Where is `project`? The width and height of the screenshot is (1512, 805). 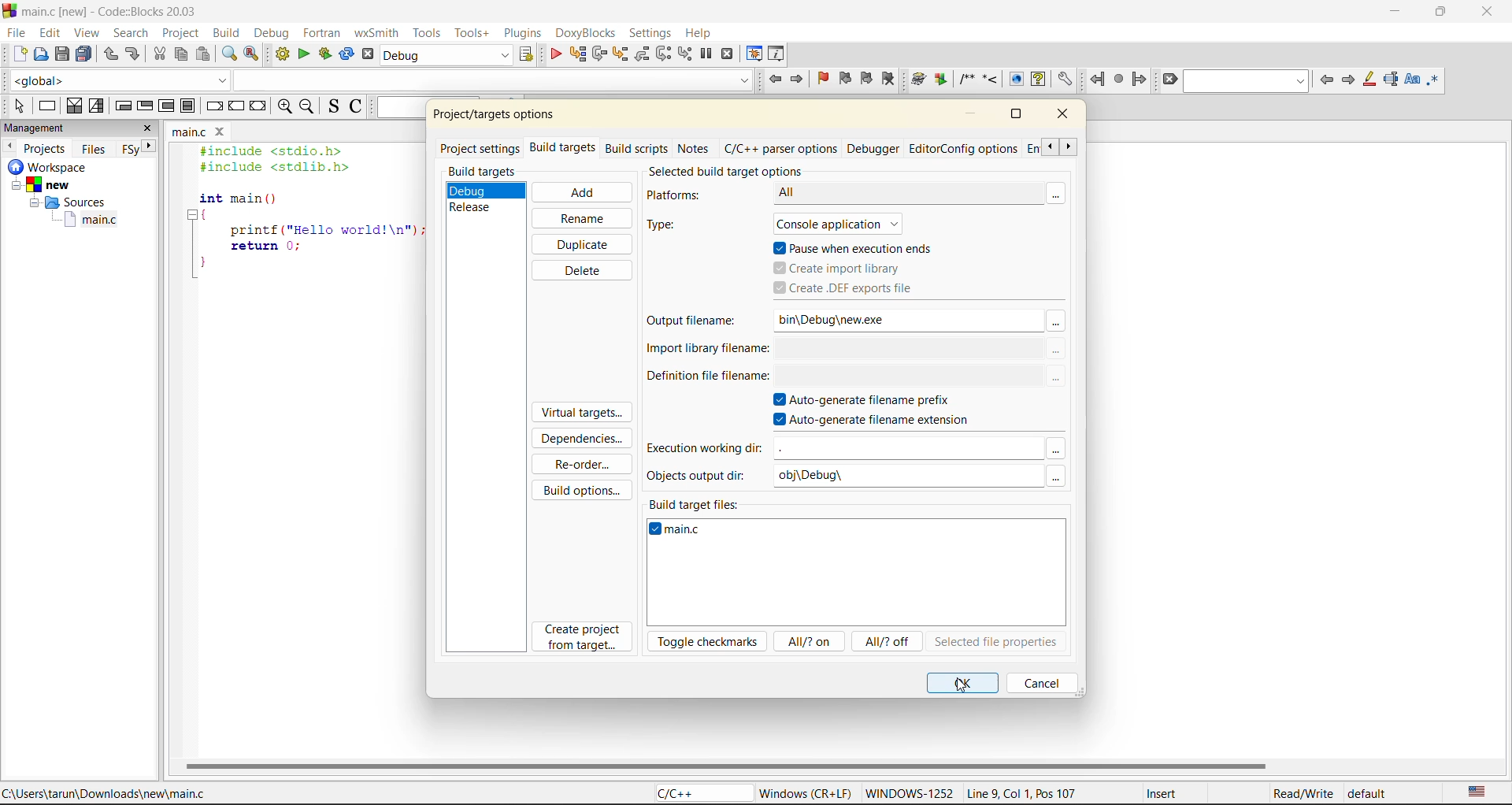
project is located at coordinates (180, 34).